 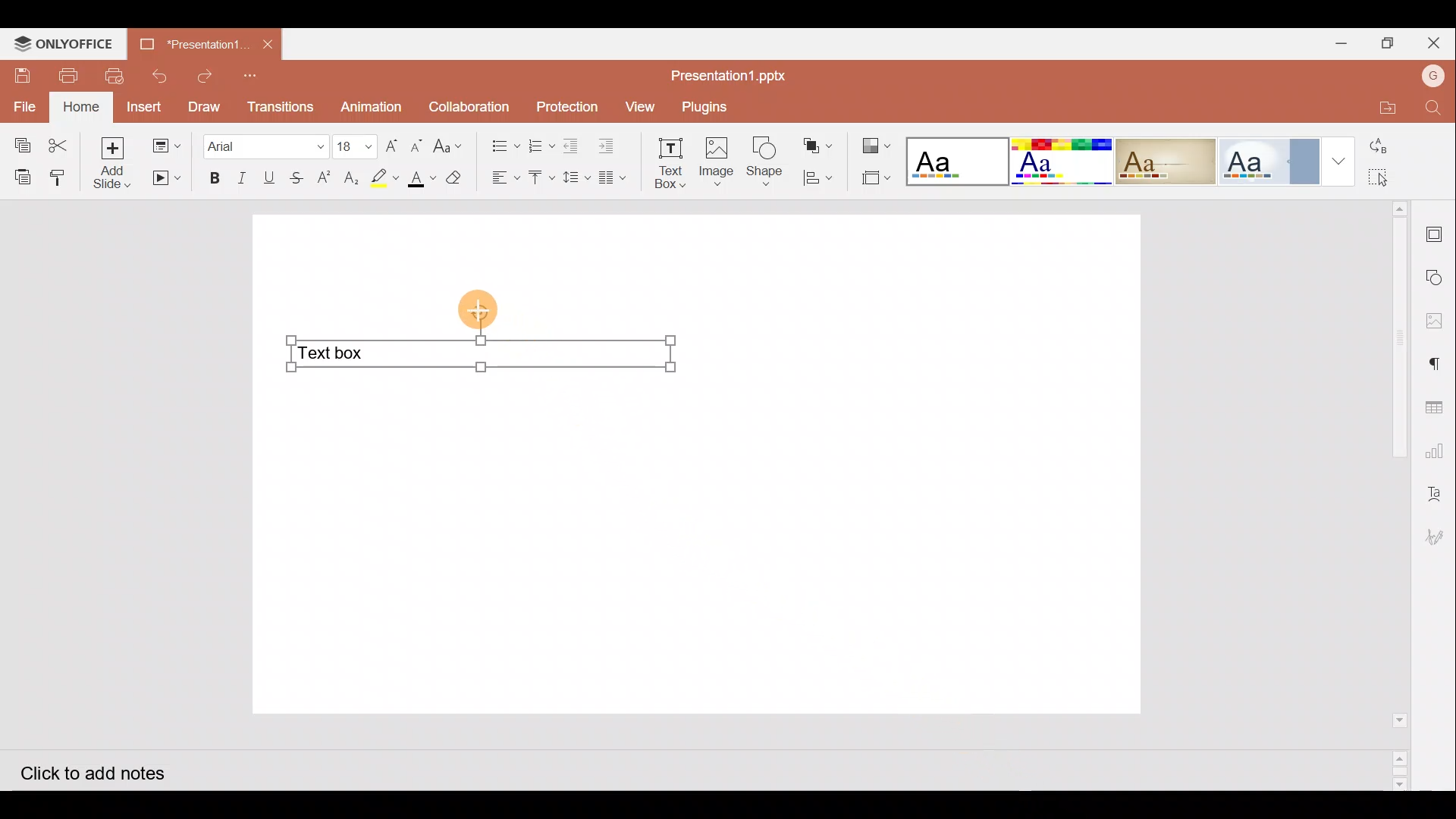 What do you see at coordinates (62, 75) in the screenshot?
I see `Print file` at bounding box center [62, 75].